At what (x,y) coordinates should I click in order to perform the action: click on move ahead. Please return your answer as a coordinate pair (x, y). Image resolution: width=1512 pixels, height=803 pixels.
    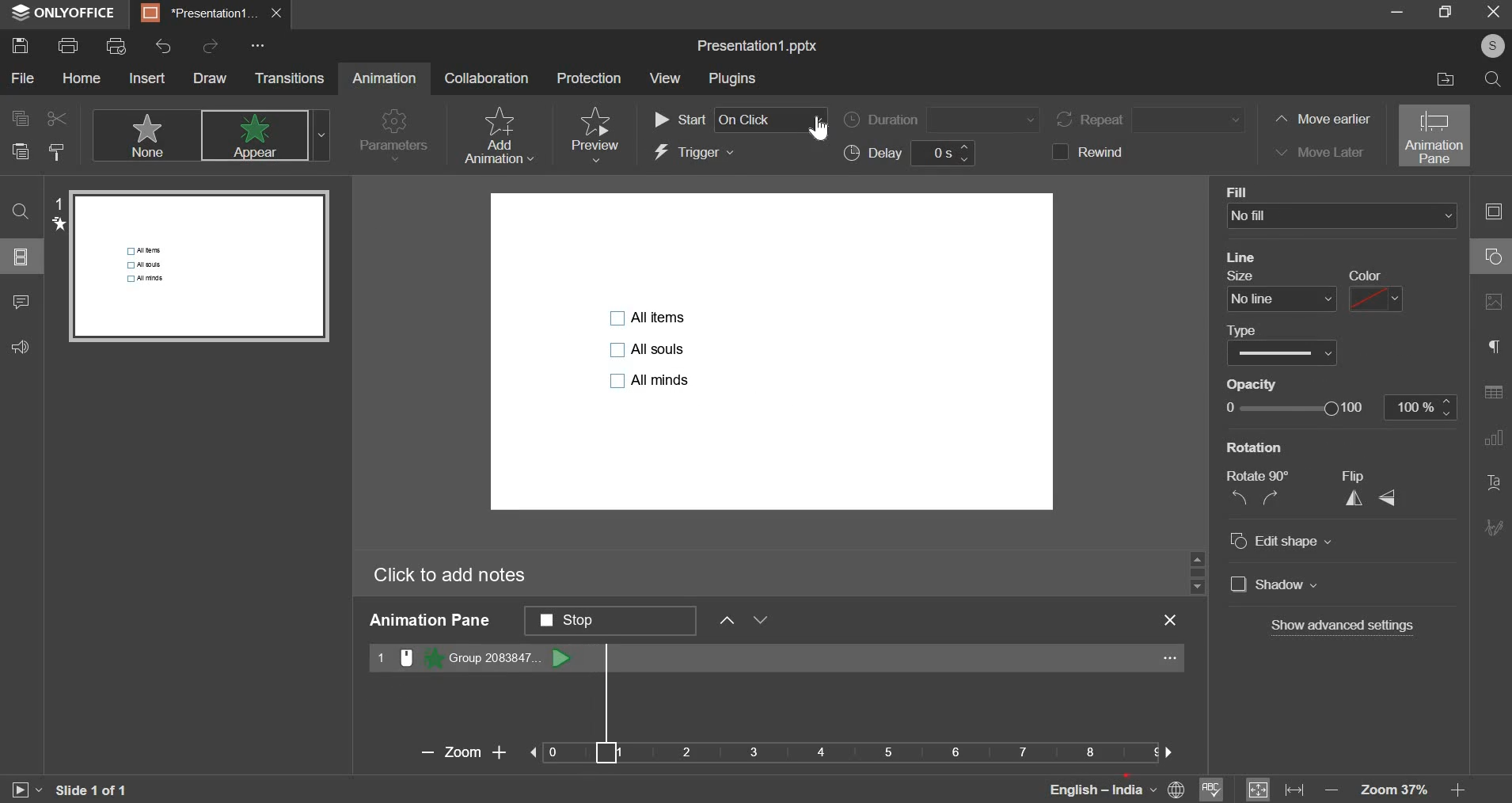
    Looking at the image, I should click on (727, 618).